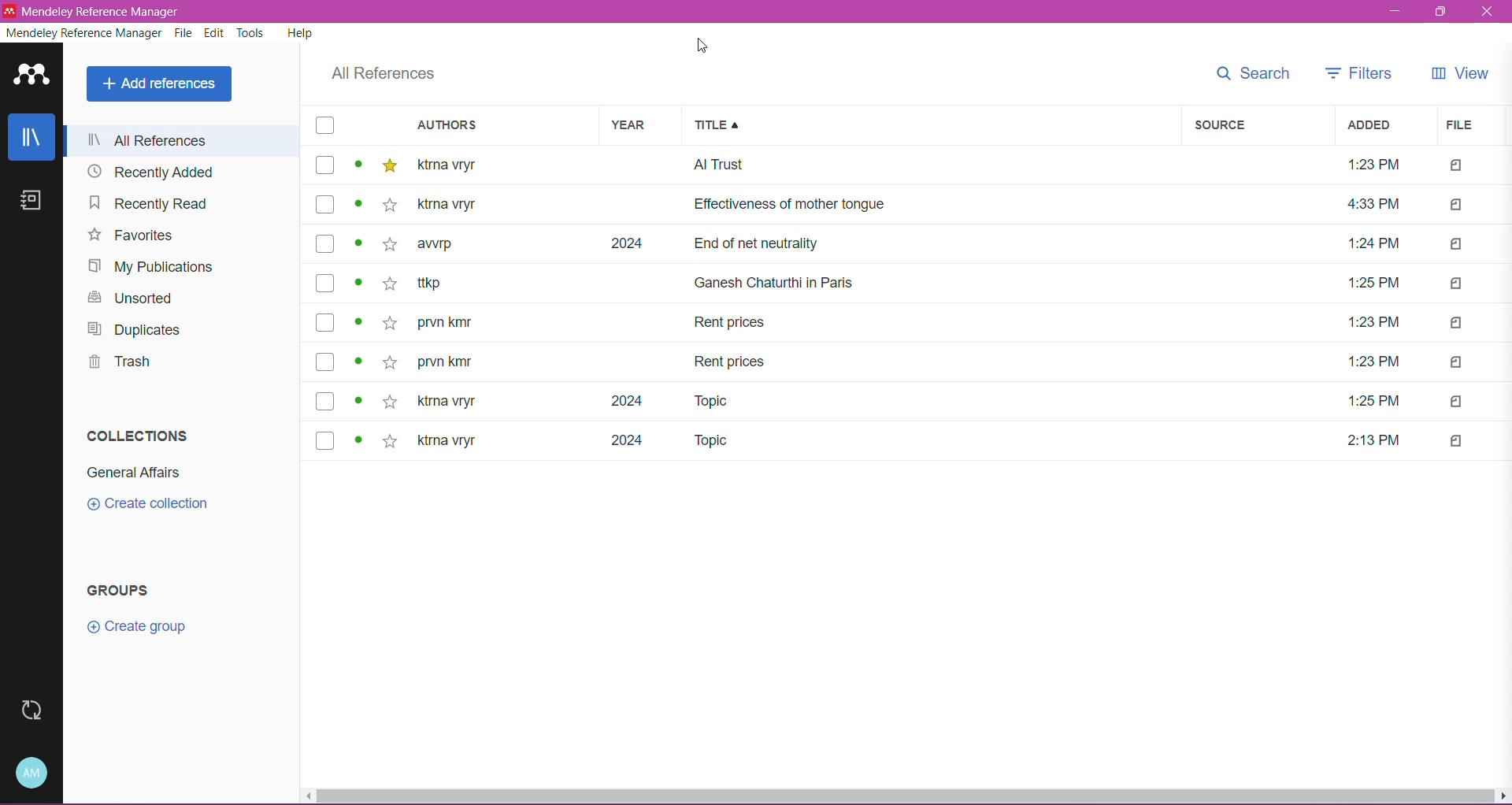 The height and width of the screenshot is (805, 1512). What do you see at coordinates (1490, 12) in the screenshot?
I see `Close` at bounding box center [1490, 12].